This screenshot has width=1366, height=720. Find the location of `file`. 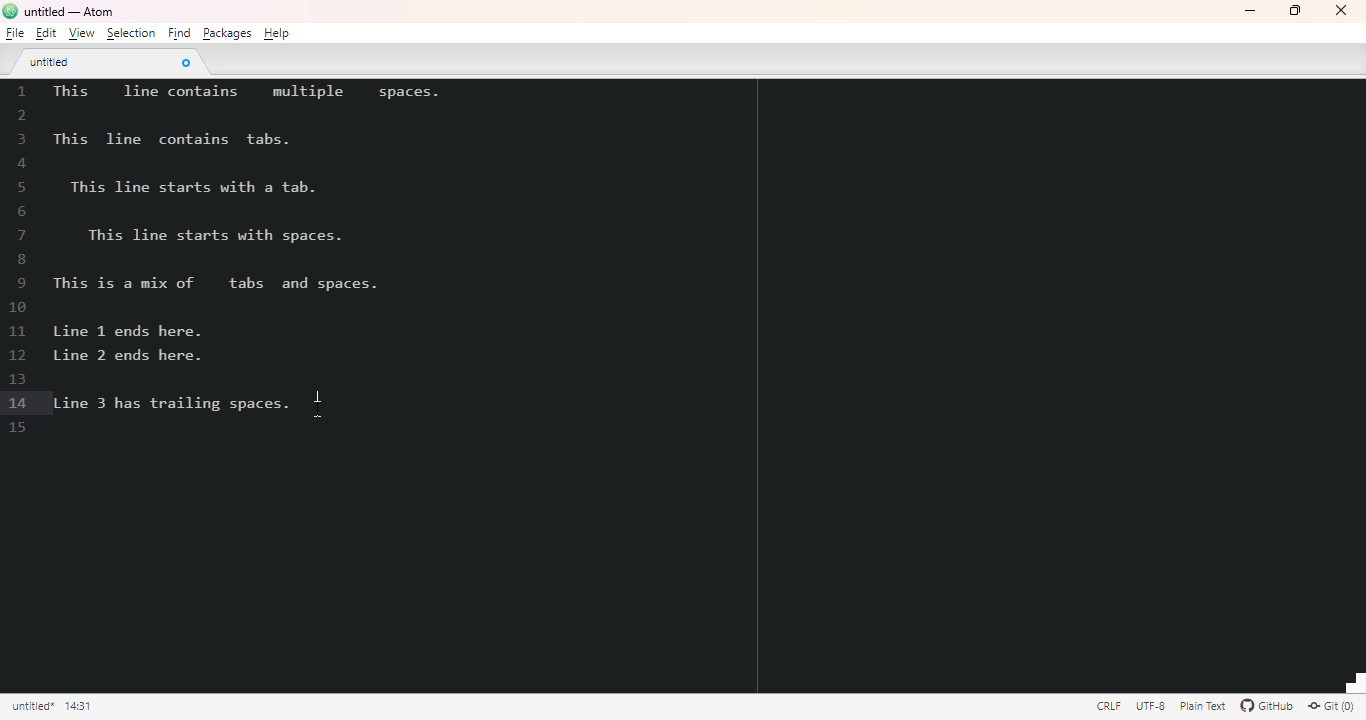

file is located at coordinates (15, 33).